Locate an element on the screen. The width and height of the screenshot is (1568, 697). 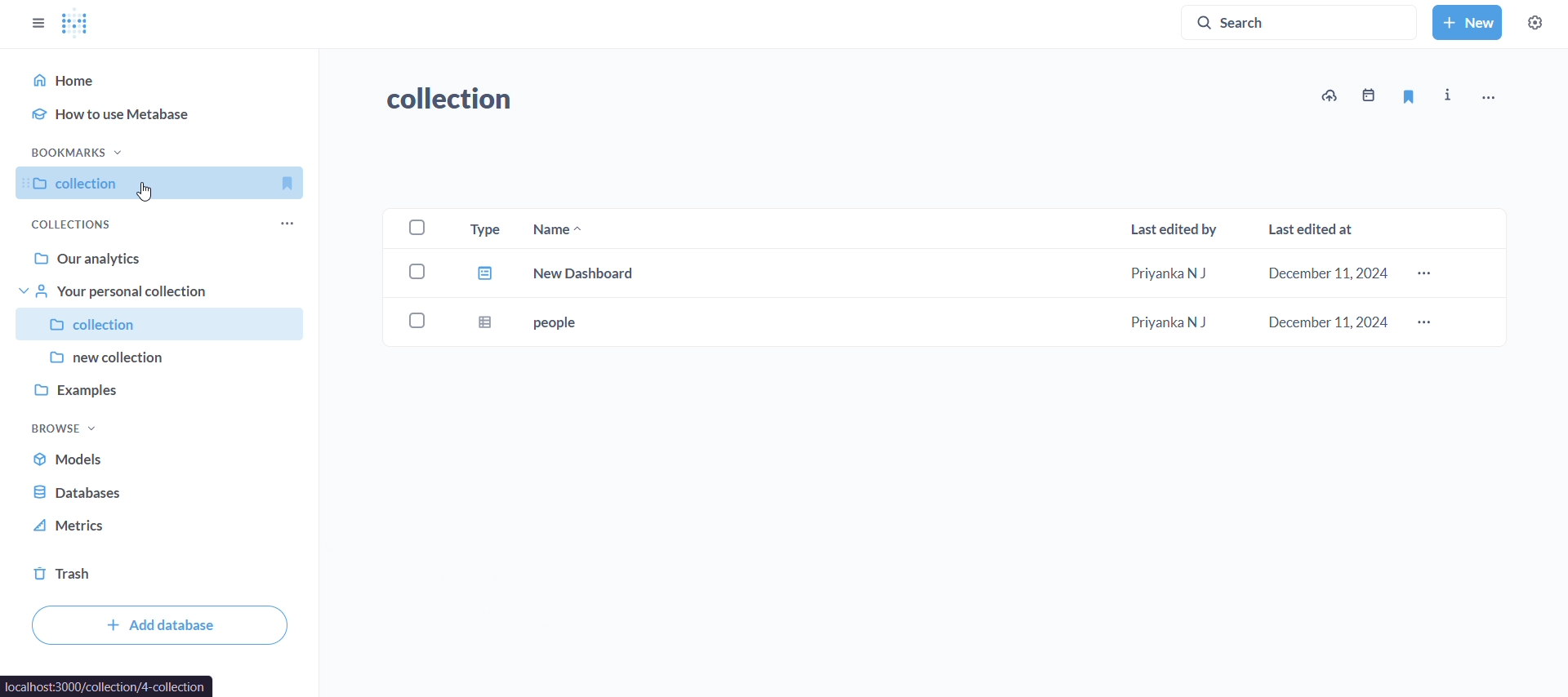
select checkbox is located at coordinates (408, 270).